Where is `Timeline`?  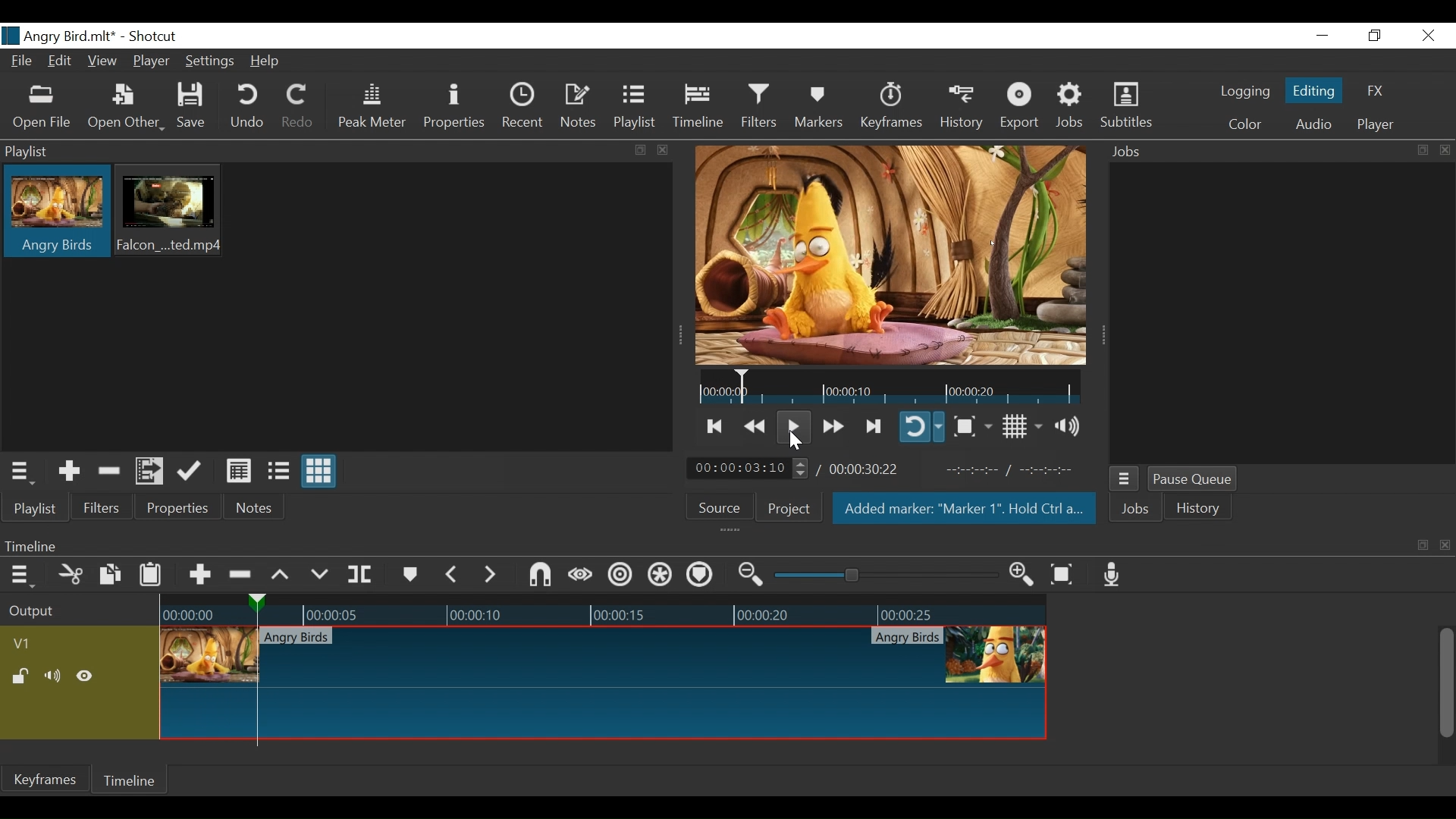 Timeline is located at coordinates (136, 782).